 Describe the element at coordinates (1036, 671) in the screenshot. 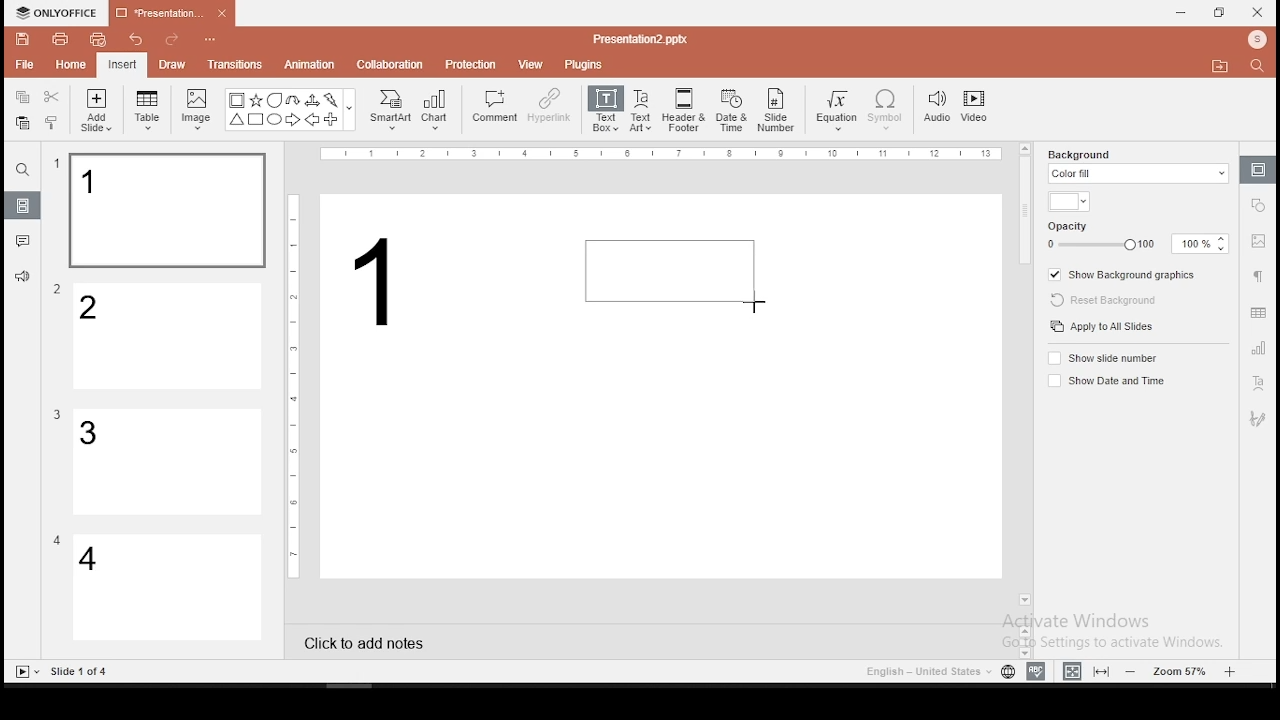

I see `spell check` at that location.